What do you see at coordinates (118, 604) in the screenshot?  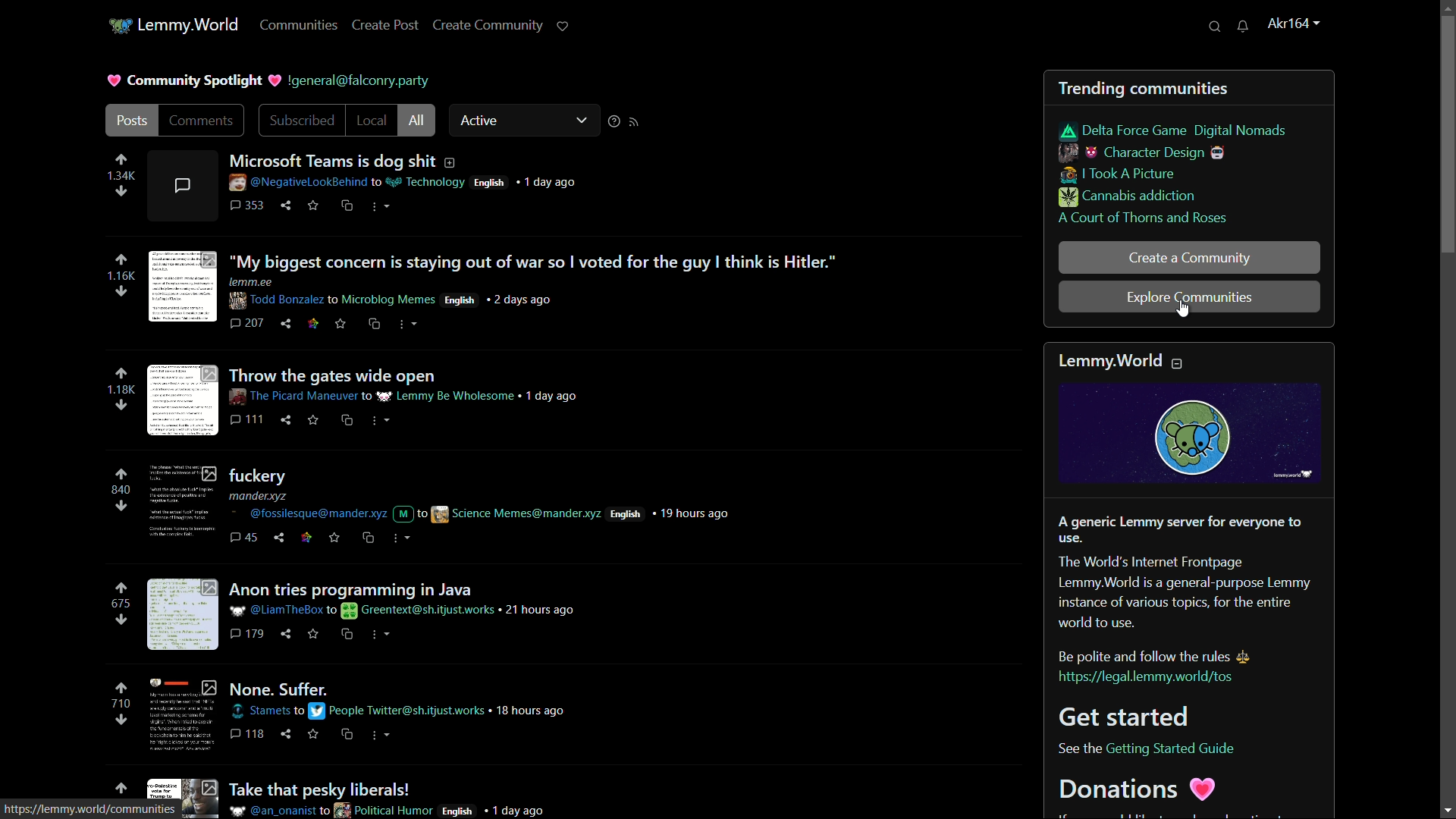 I see `number of votes` at bounding box center [118, 604].